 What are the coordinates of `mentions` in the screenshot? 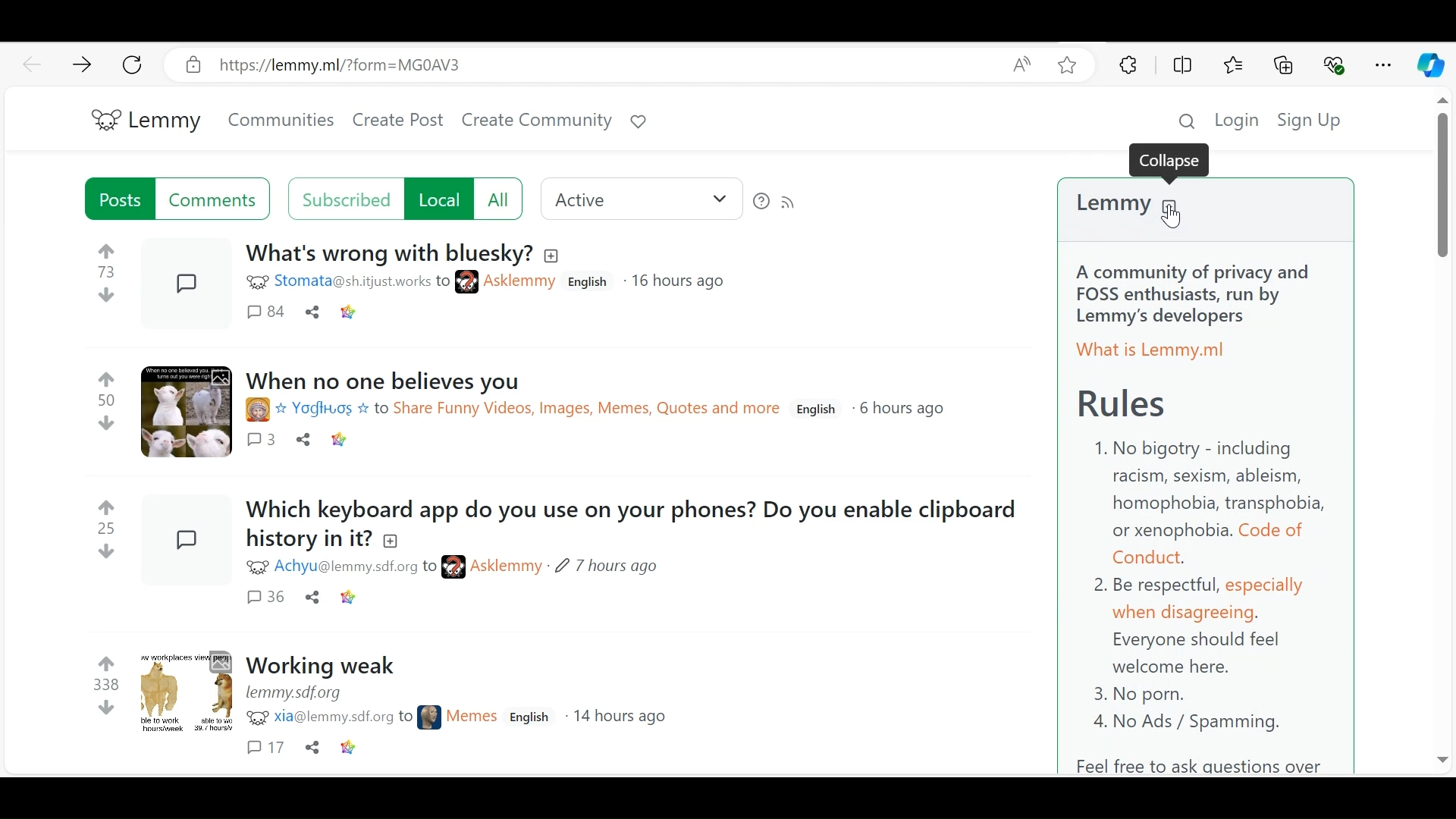 It's located at (344, 718).